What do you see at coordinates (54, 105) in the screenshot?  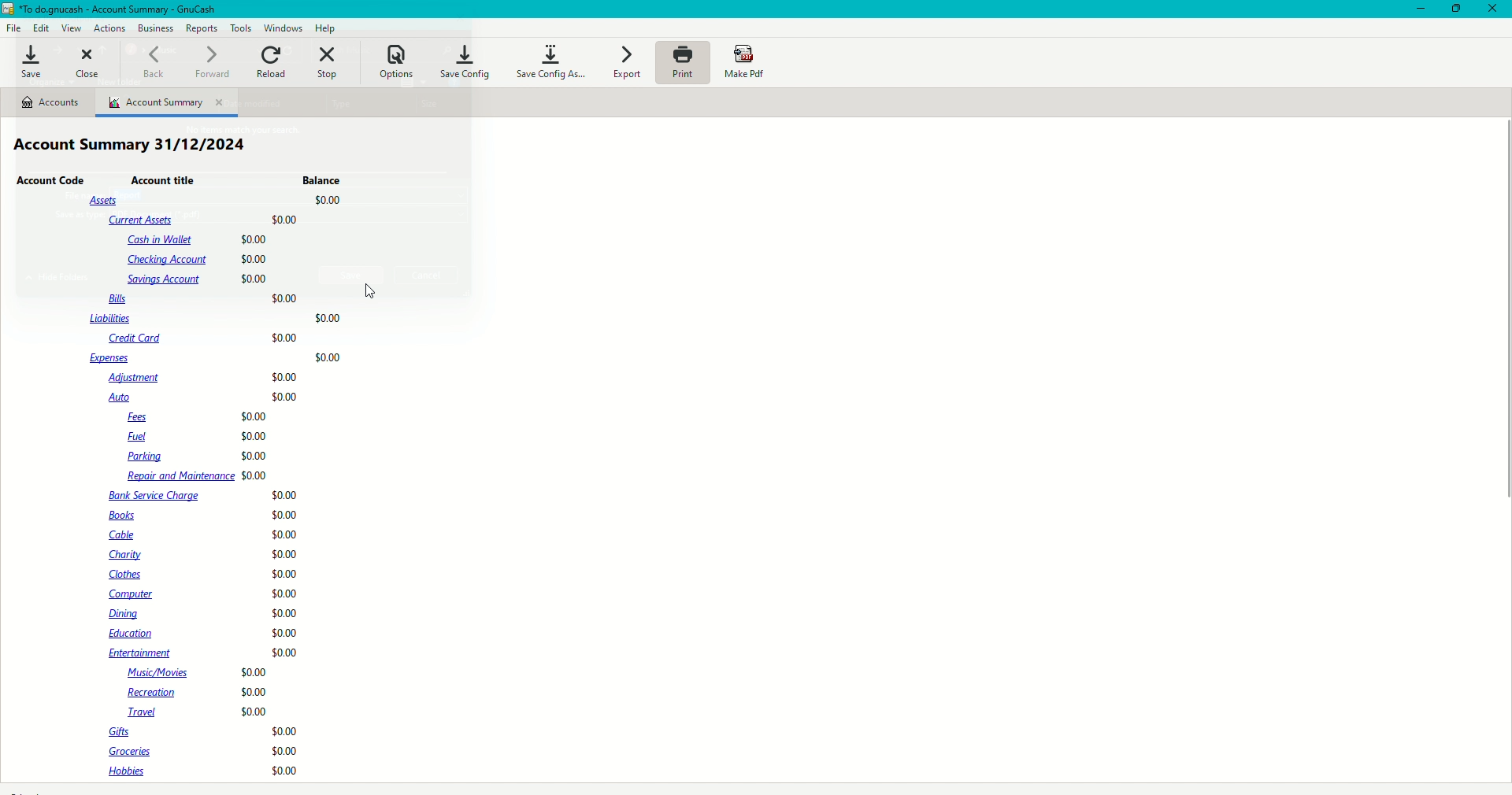 I see `Accounts` at bounding box center [54, 105].